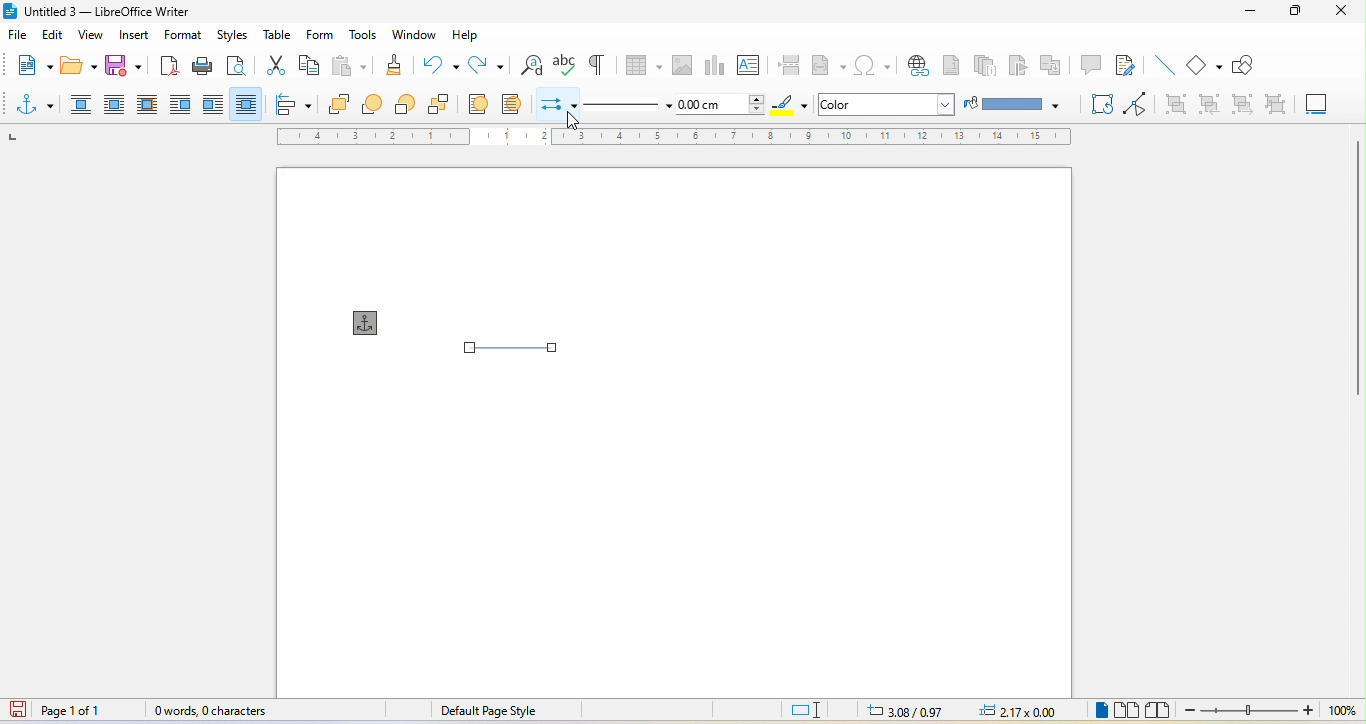 The height and width of the screenshot is (724, 1366). Describe the element at coordinates (1051, 65) in the screenshot. I see `cross reference` at that location.